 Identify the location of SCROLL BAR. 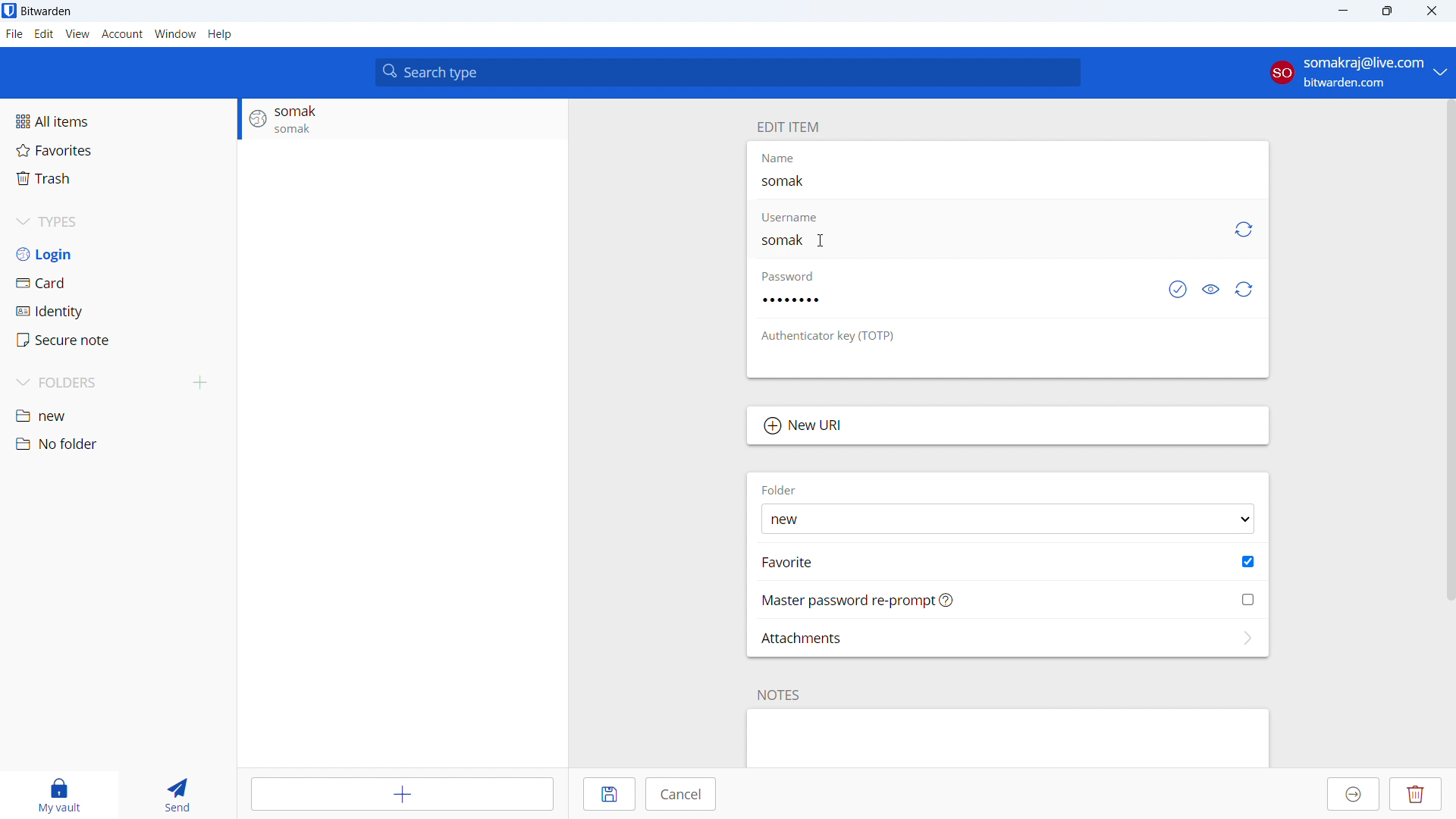
(1448, 356).